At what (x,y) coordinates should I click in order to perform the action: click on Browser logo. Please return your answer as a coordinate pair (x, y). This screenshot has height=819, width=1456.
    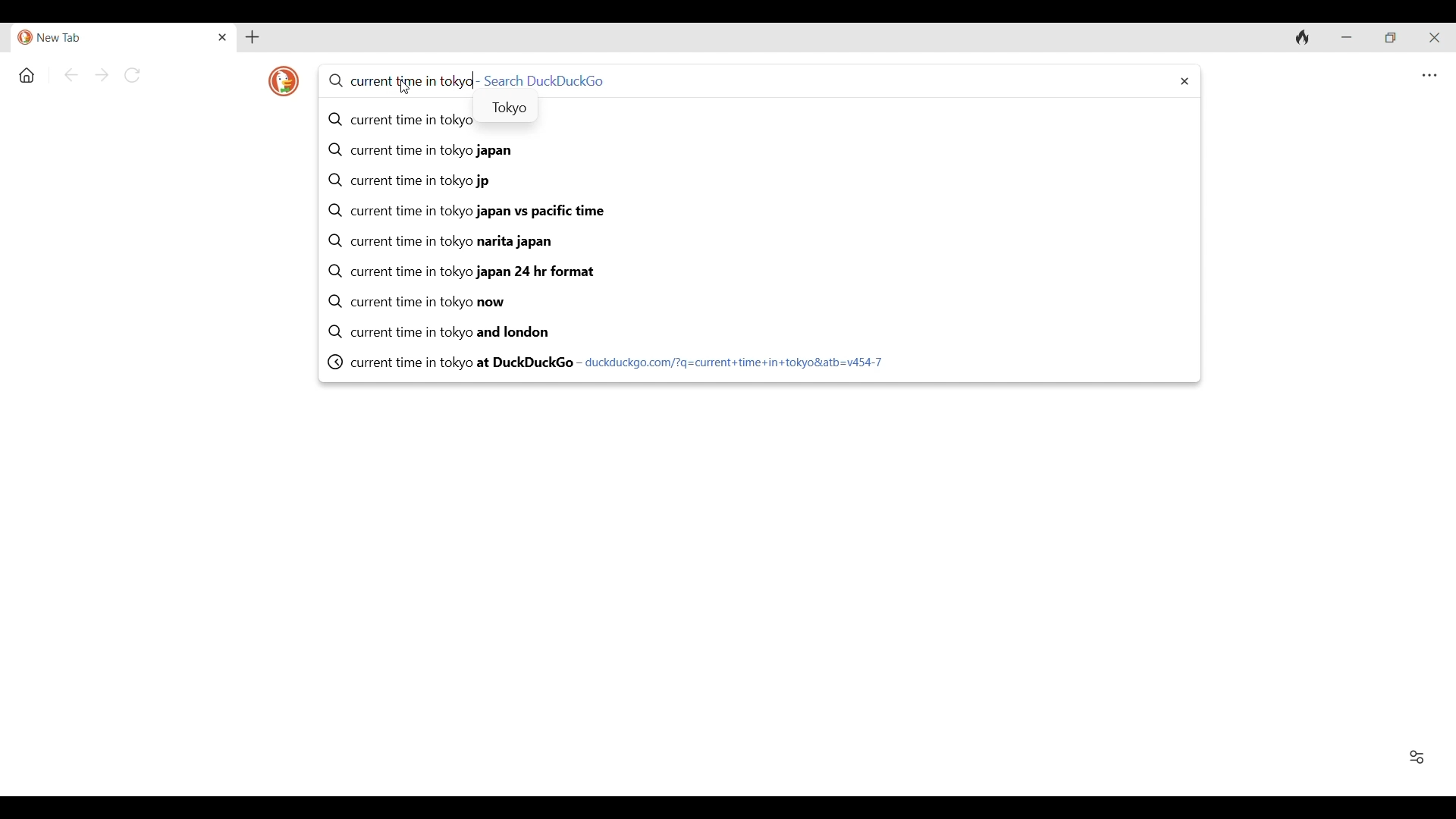
    Looking at the image, I should click on (284, 81).